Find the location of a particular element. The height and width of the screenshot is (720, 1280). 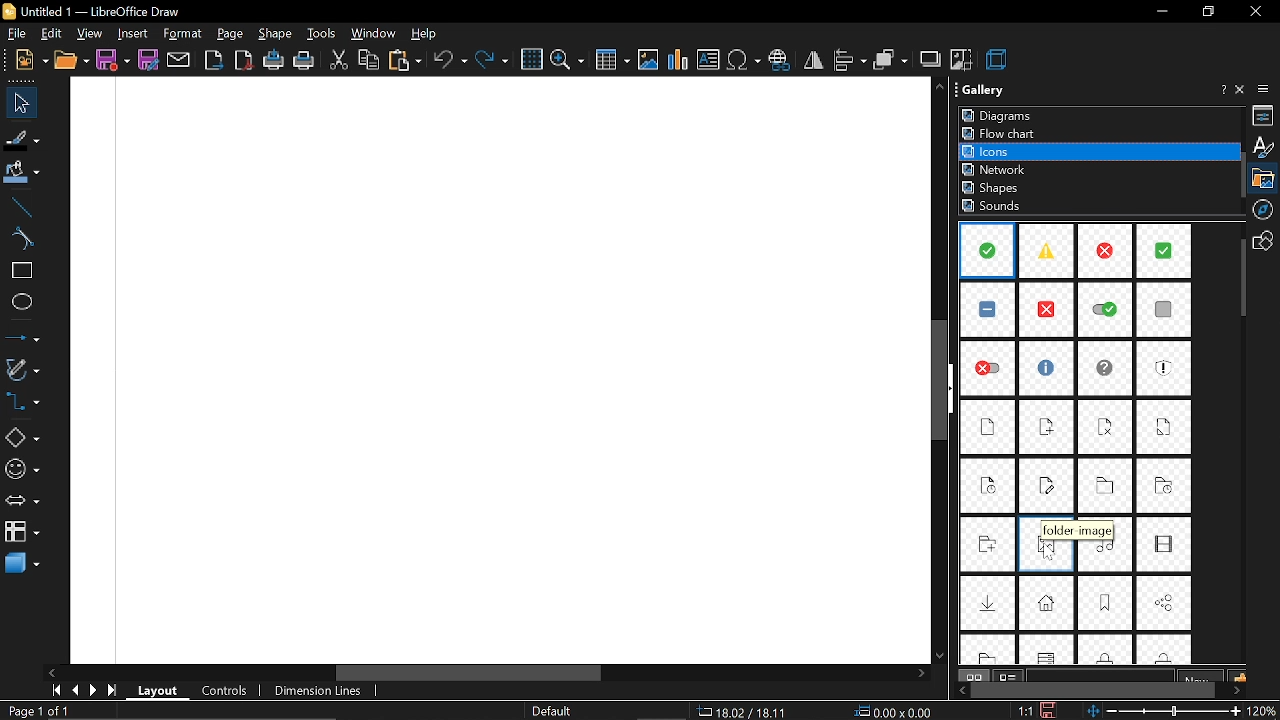

insert symbol is located at coordinates (745, 61).